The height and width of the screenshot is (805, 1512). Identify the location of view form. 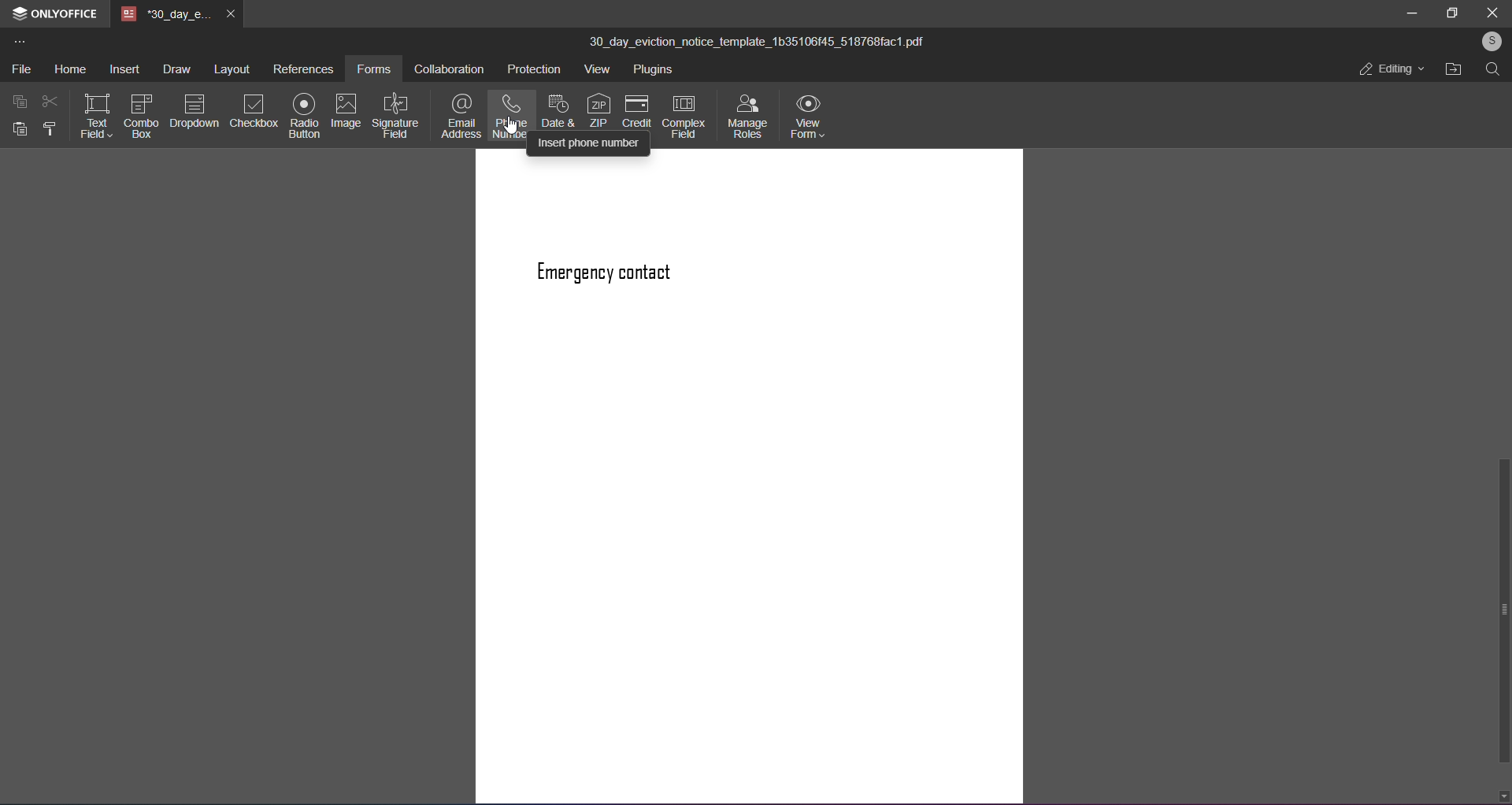
(810, 117).